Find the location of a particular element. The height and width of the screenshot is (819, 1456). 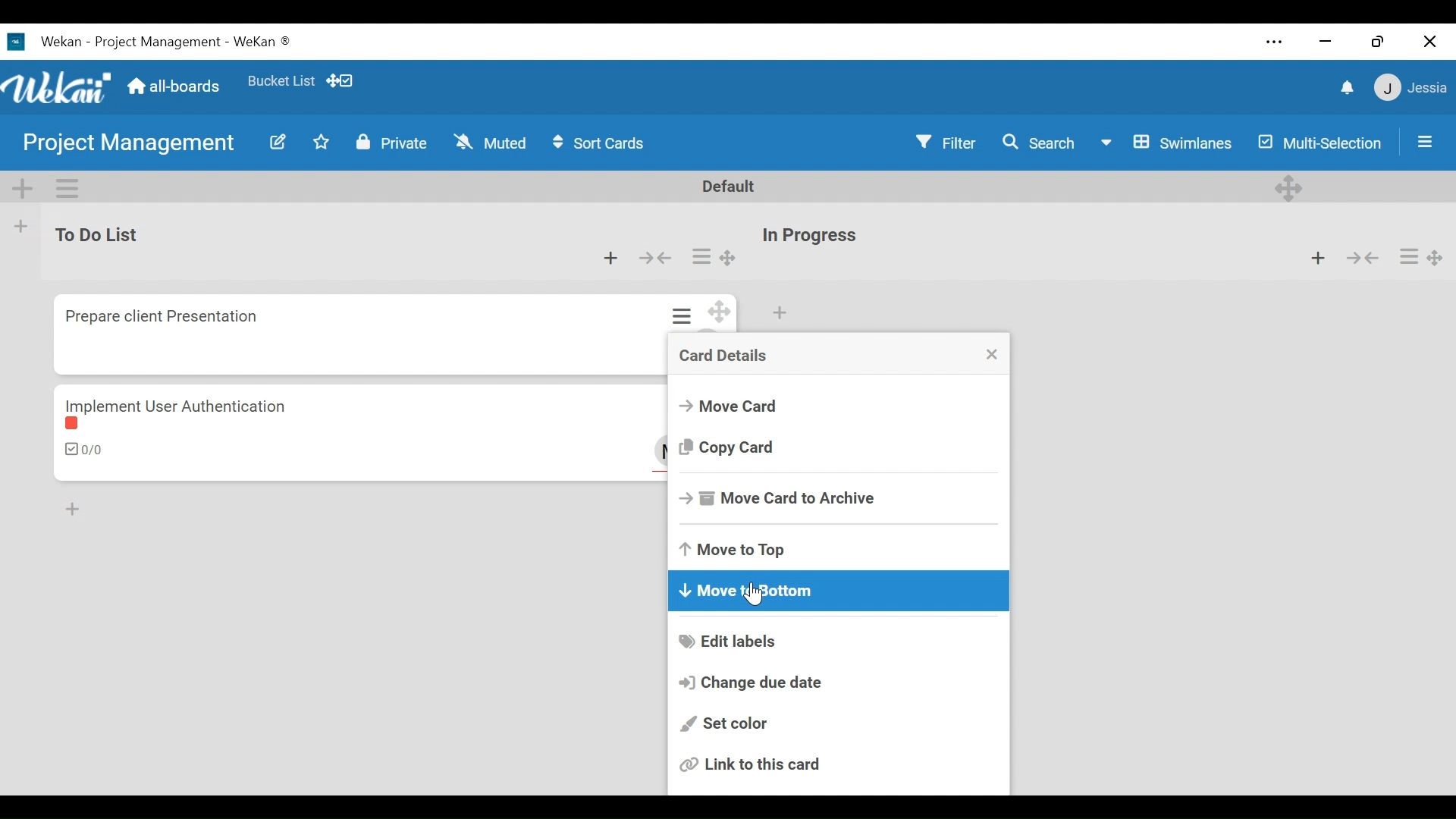

Card Title is located at coordinates (167, 316).